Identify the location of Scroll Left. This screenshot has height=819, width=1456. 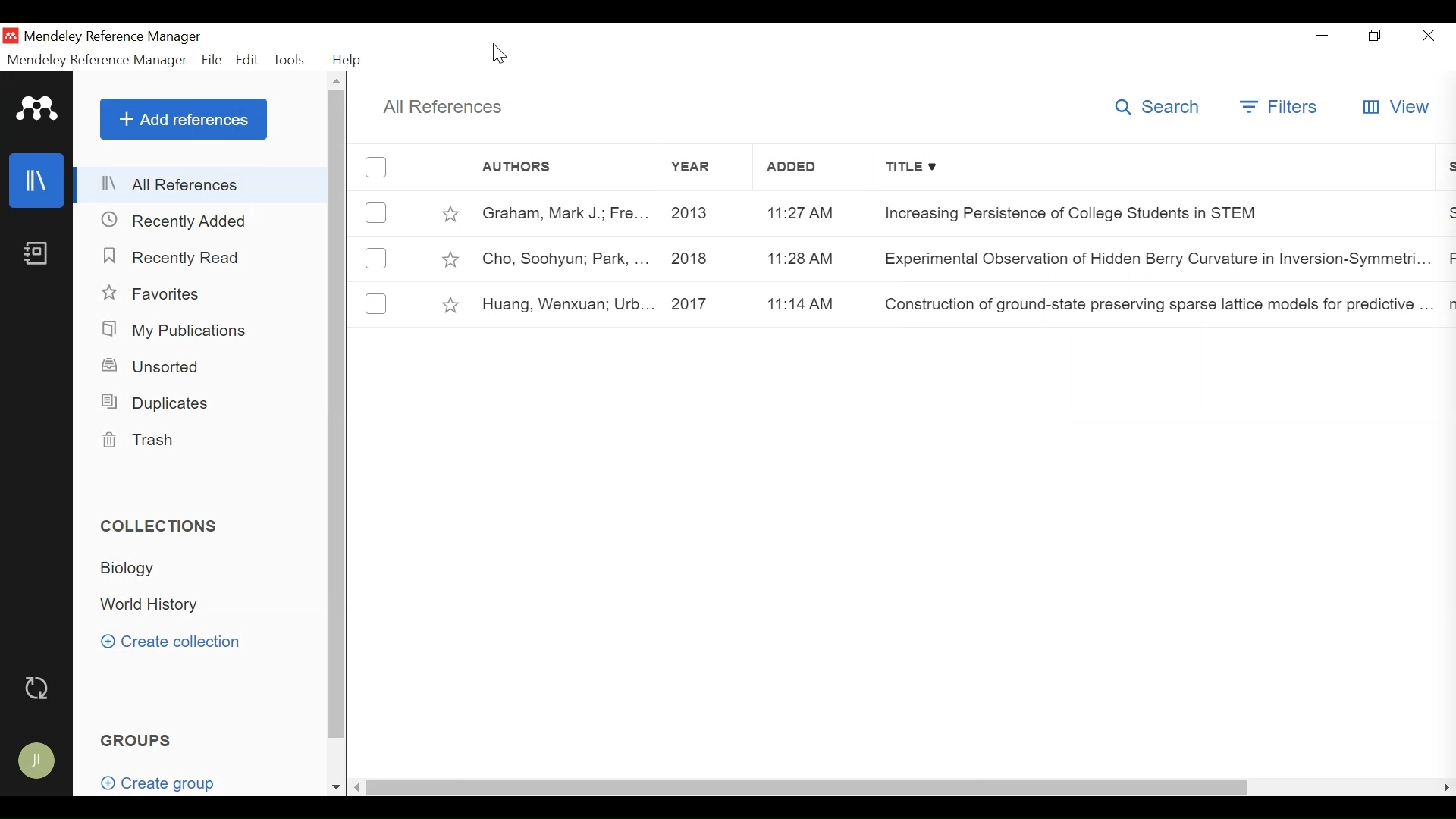
(356, 788).